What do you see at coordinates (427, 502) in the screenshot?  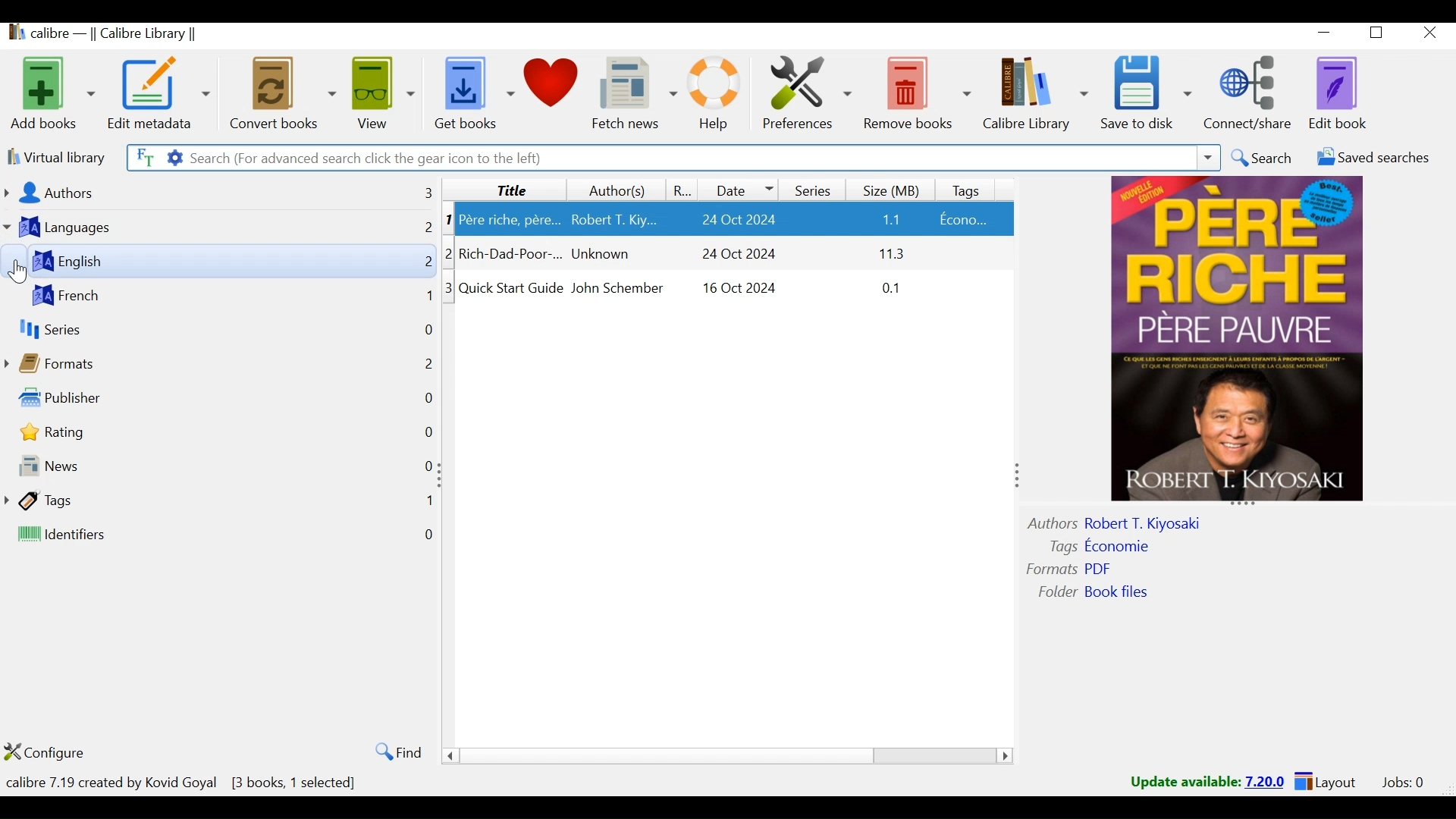 I see `1` at bounding box center [427, 502].